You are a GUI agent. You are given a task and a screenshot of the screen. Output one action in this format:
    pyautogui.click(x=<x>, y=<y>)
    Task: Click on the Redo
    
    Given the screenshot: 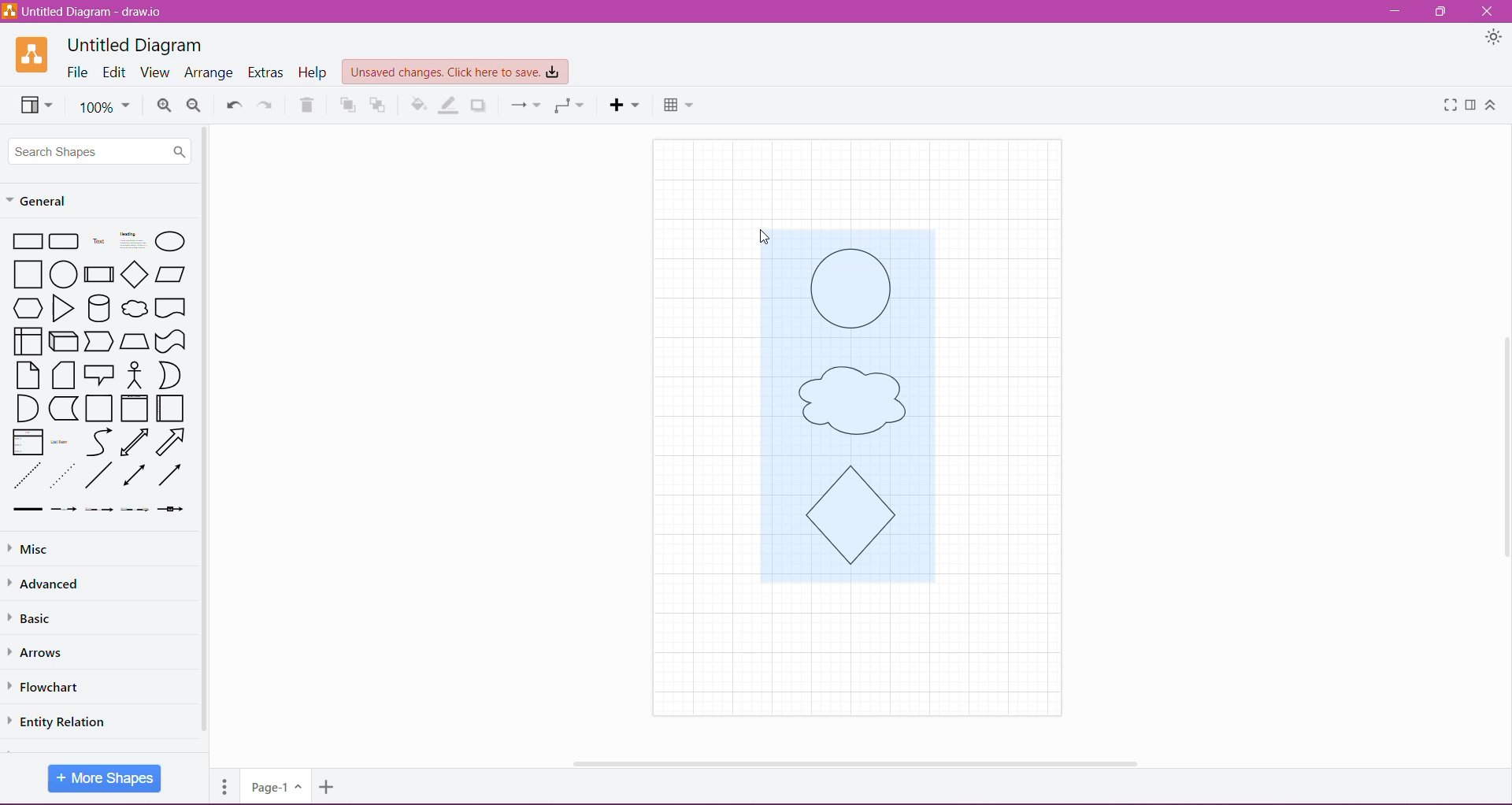 What is the action you would take?
    pyautogui.click(x=265, y=104)
    